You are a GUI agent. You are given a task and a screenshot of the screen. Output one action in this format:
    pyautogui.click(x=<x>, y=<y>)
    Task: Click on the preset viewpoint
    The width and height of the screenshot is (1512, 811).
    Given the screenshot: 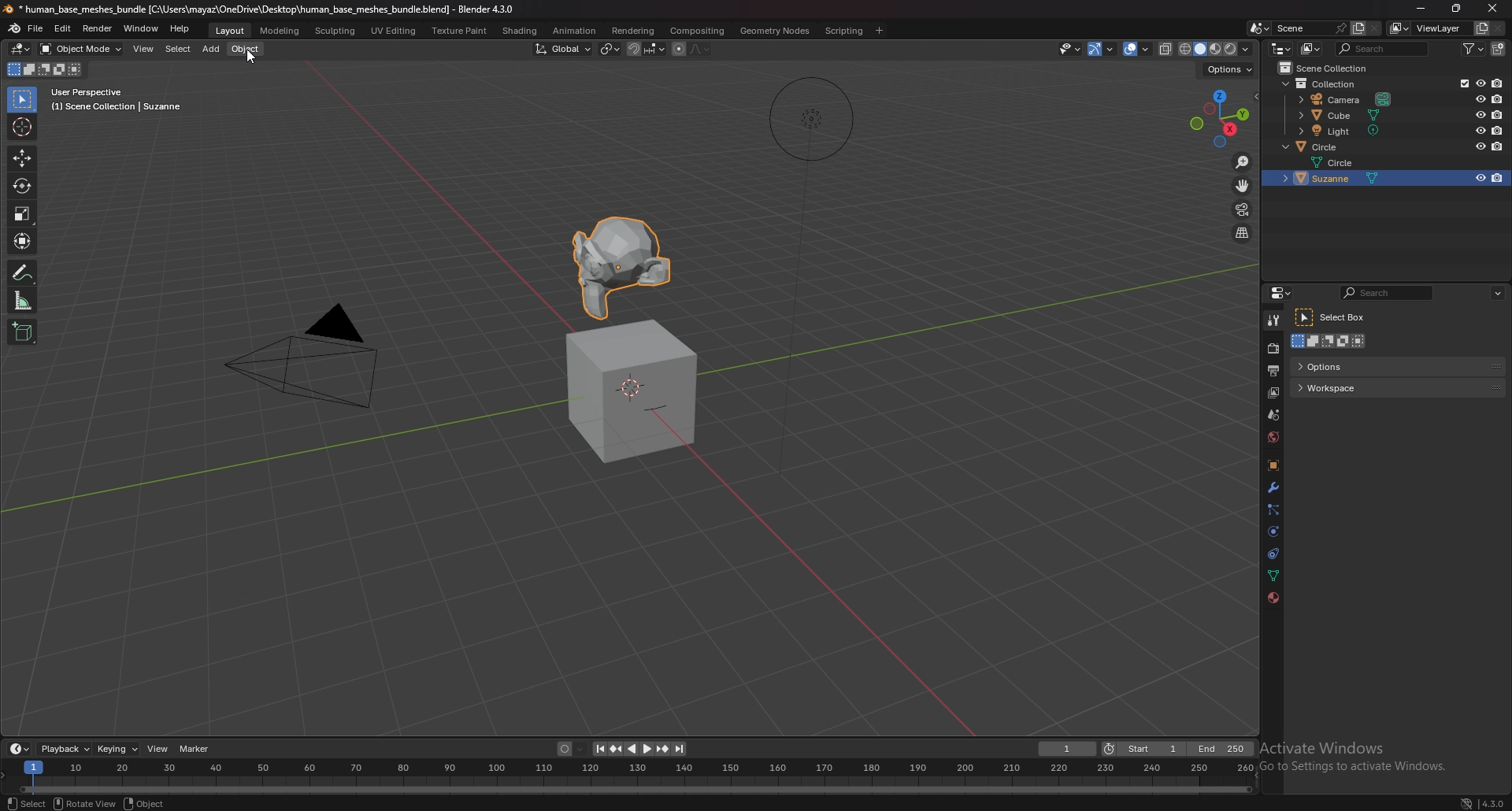 What is the action you would take?
    pyautogui.click(x=1222, y=118)
    